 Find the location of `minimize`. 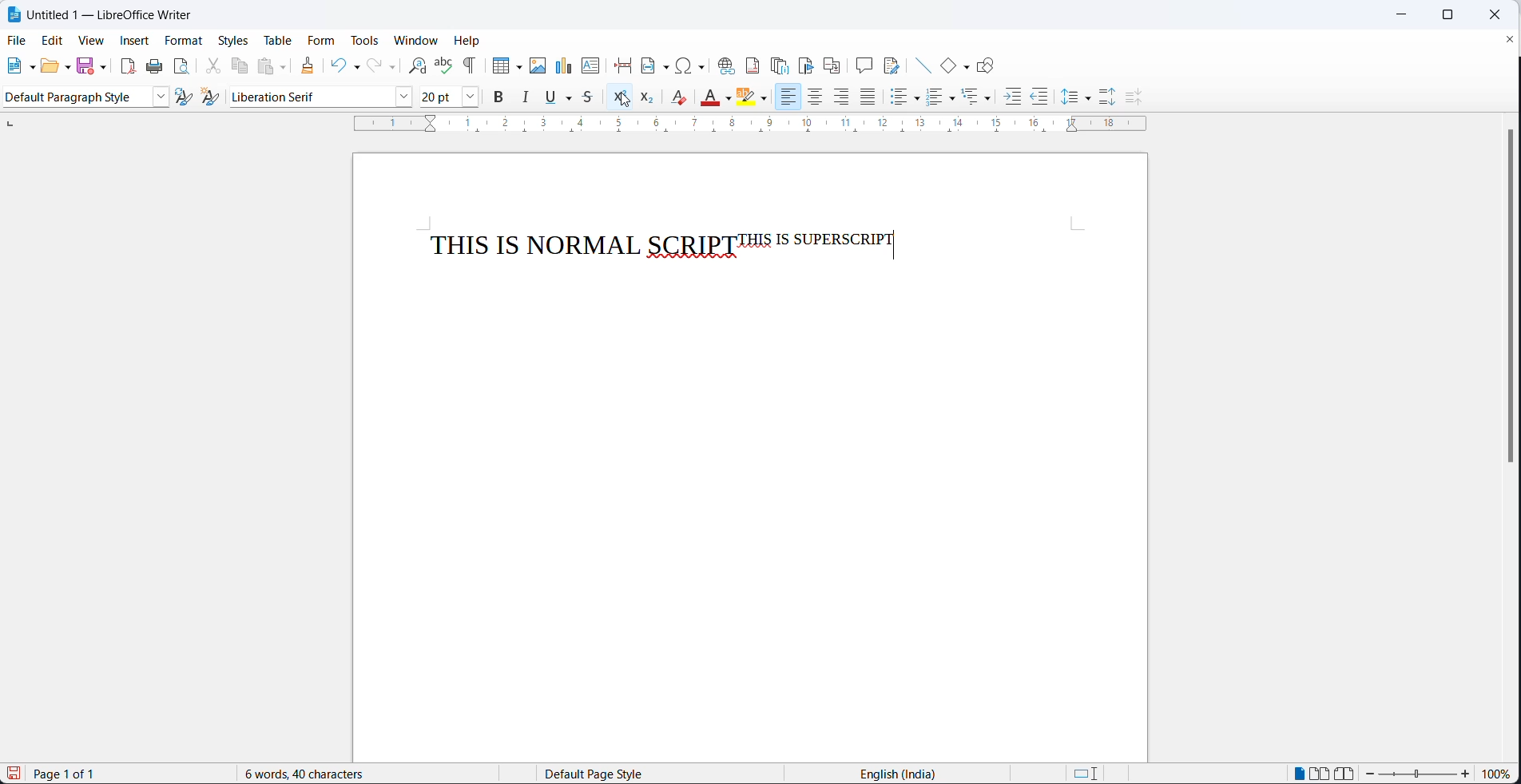

minimize is located at coordinates (1403, 15).